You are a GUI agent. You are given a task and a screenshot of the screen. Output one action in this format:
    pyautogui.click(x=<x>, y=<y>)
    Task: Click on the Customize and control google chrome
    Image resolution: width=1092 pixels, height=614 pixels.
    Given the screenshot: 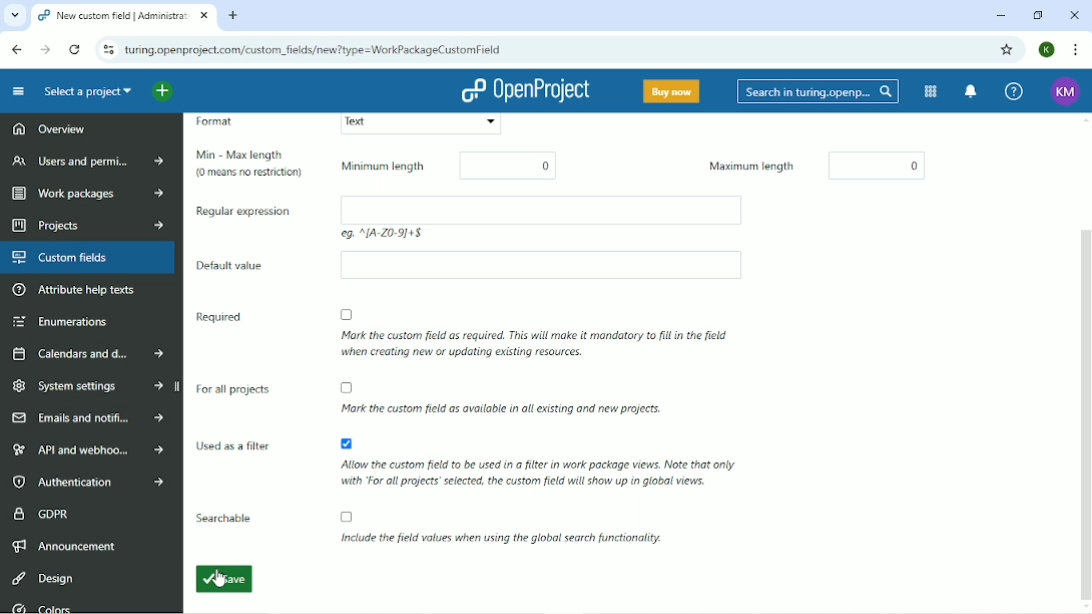 What is the action you would take?
    pyautogui.click(x=1074, y=49)
    